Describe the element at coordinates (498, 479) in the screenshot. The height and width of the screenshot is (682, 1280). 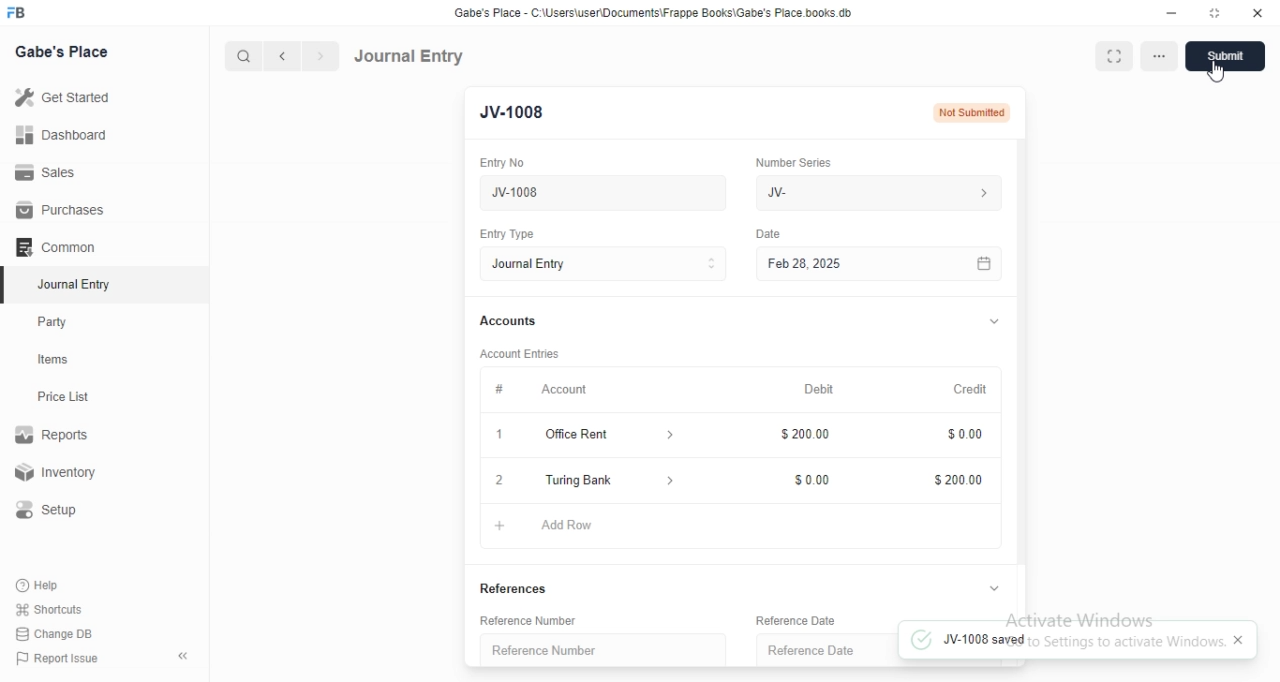
I see `2` at that location.